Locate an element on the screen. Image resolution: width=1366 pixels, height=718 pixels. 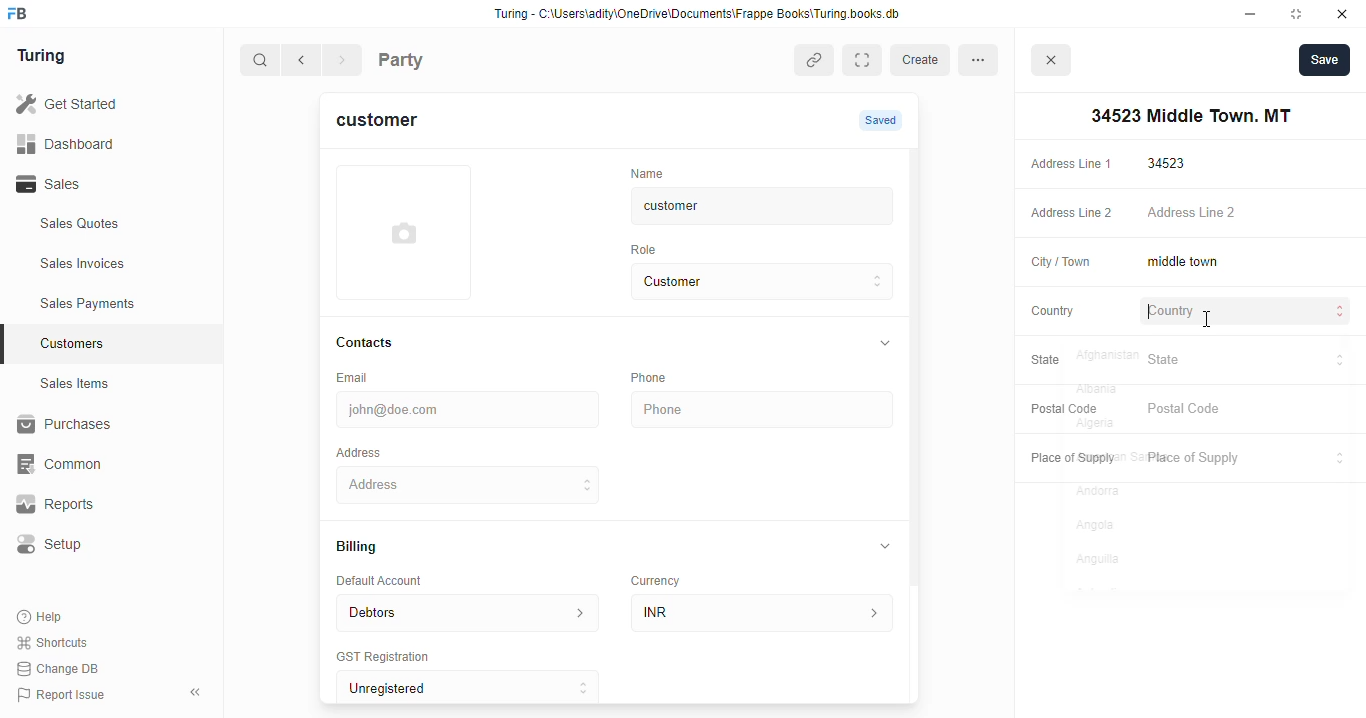
Place of Supply is located at coordinates (1068, 459).